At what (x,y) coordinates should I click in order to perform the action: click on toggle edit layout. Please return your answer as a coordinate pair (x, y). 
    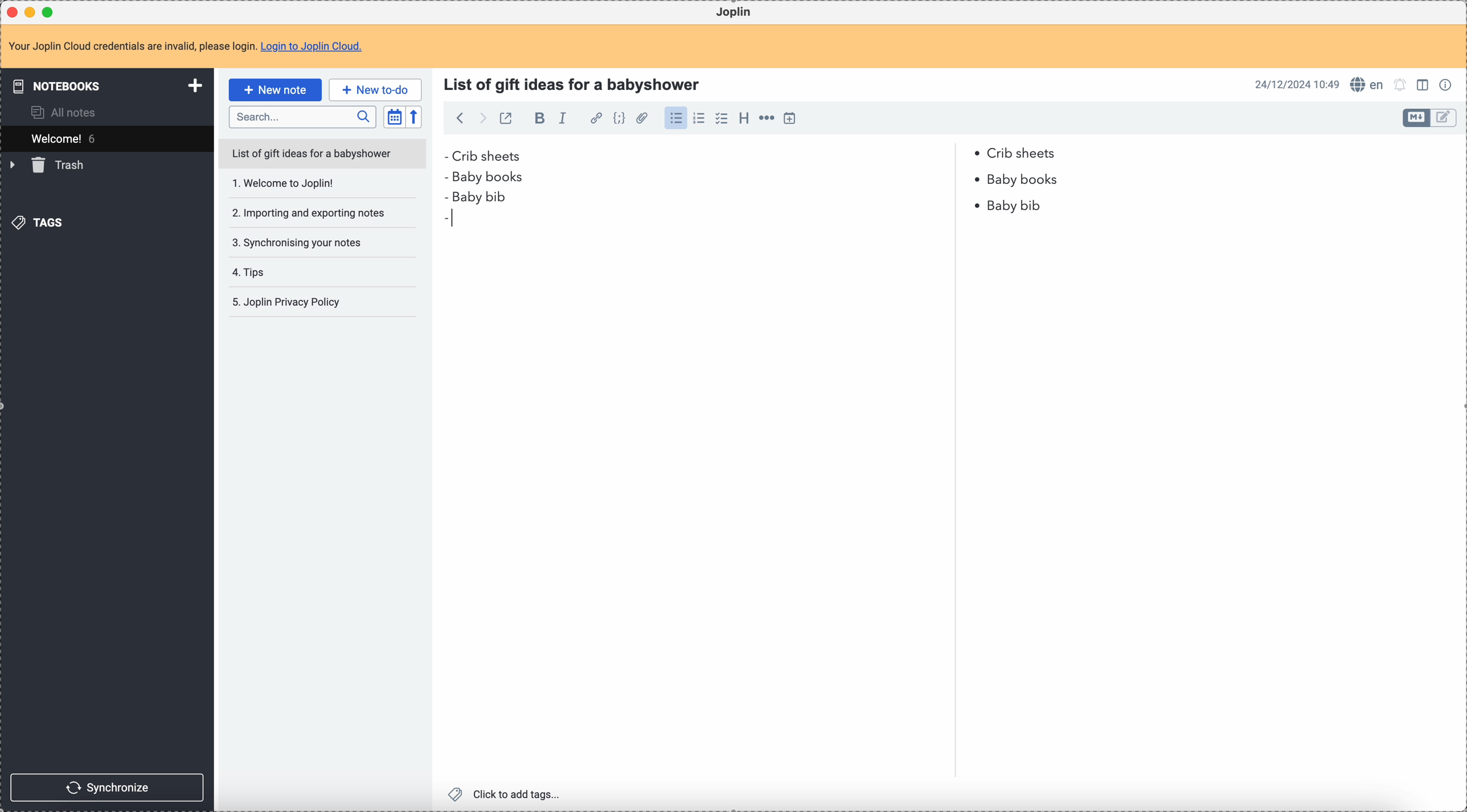
    Looking at the image, I should click on (1444, 118).